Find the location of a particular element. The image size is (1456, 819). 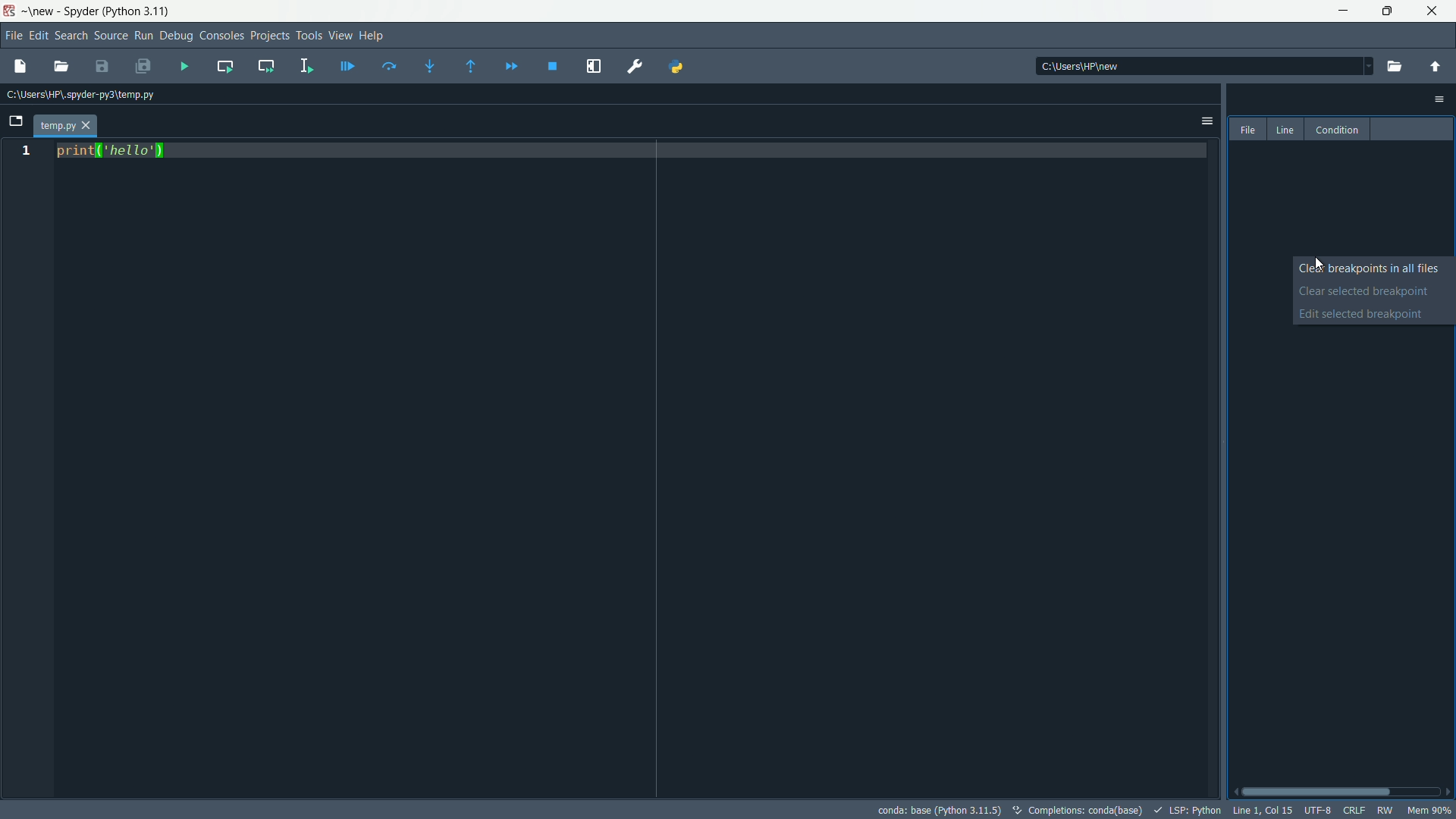

continue execution until next function is located at coordinates (472, 66).